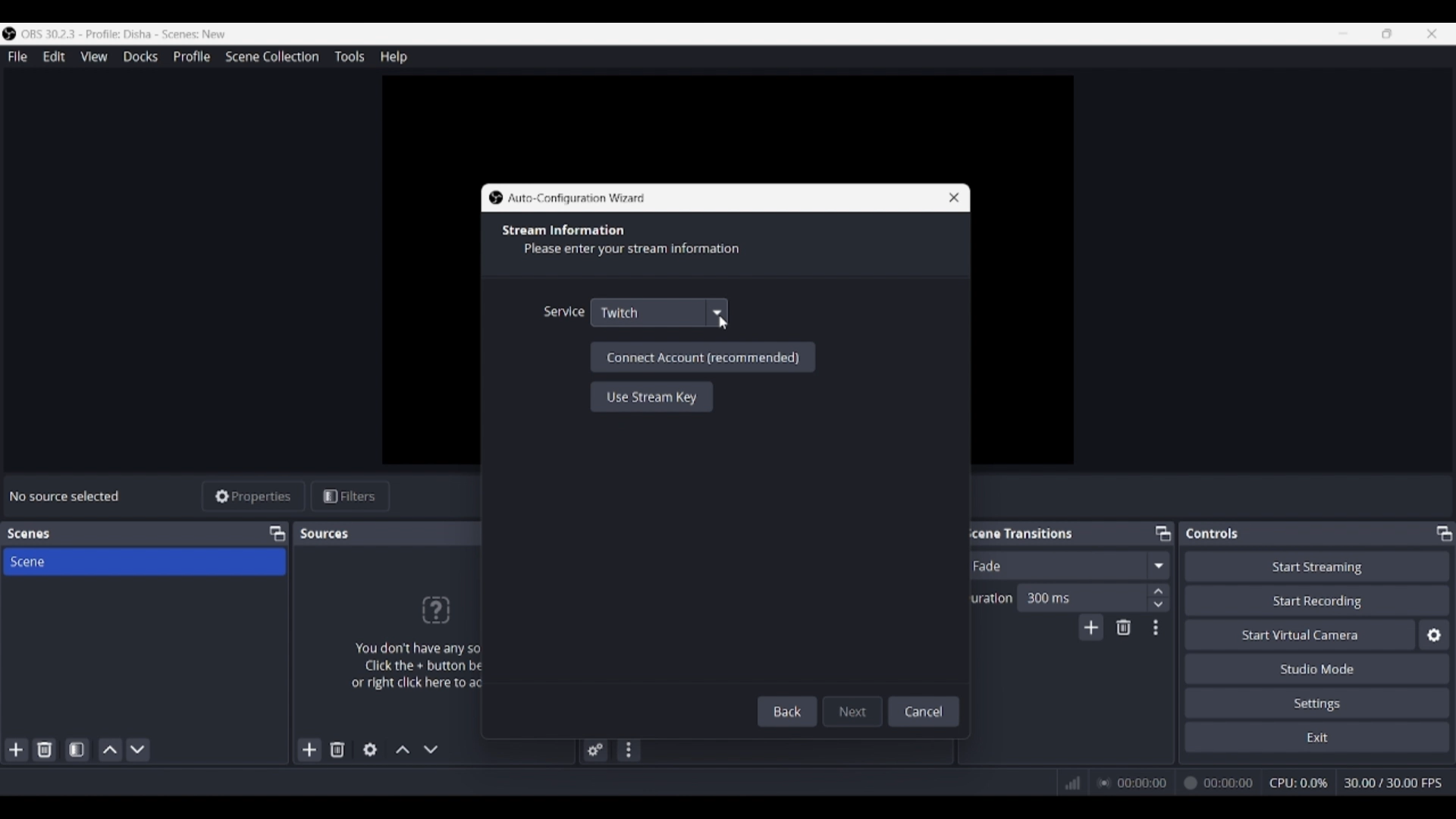 The image size is (1456, 819). Describe the element at coordinates (254, 497) in the screenshot. I see `Properties` at that location.